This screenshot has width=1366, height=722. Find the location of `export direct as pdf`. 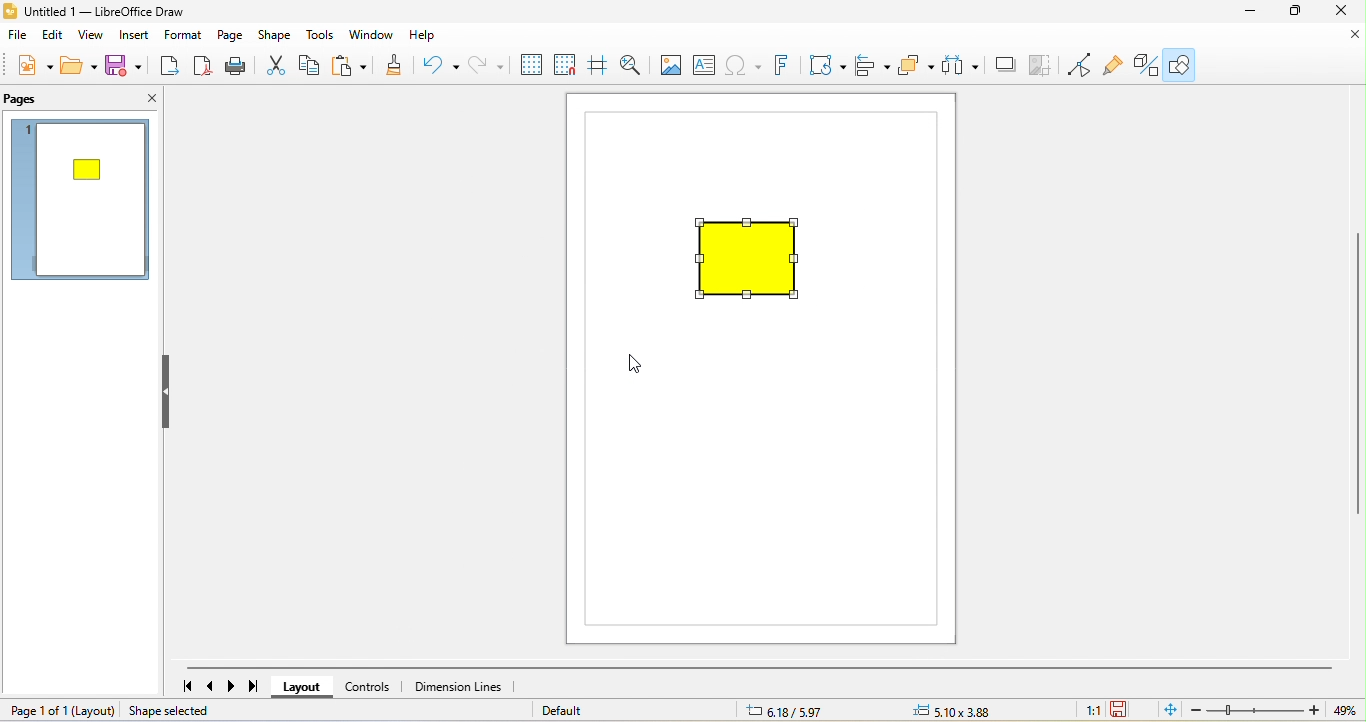

export direct as pdf is located at coordinates (202, 68).